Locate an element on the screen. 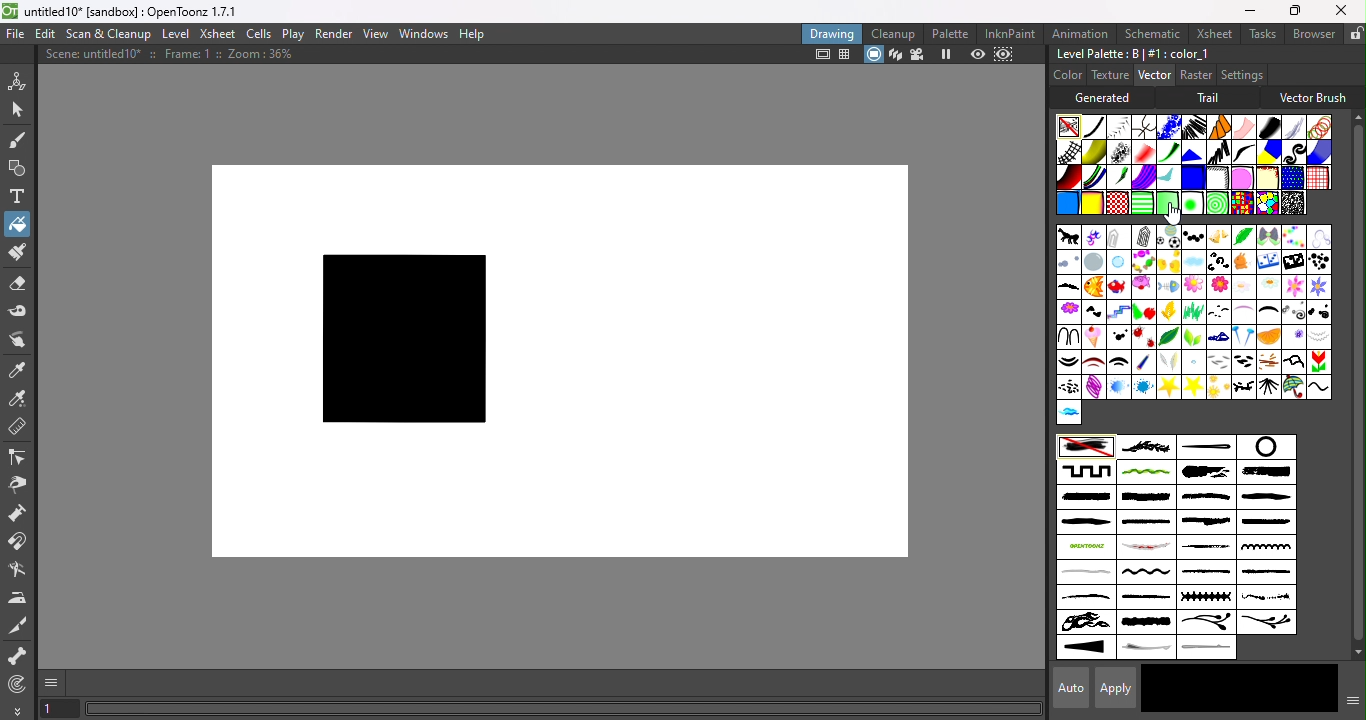  domino is located at coordinates (1268, 264).